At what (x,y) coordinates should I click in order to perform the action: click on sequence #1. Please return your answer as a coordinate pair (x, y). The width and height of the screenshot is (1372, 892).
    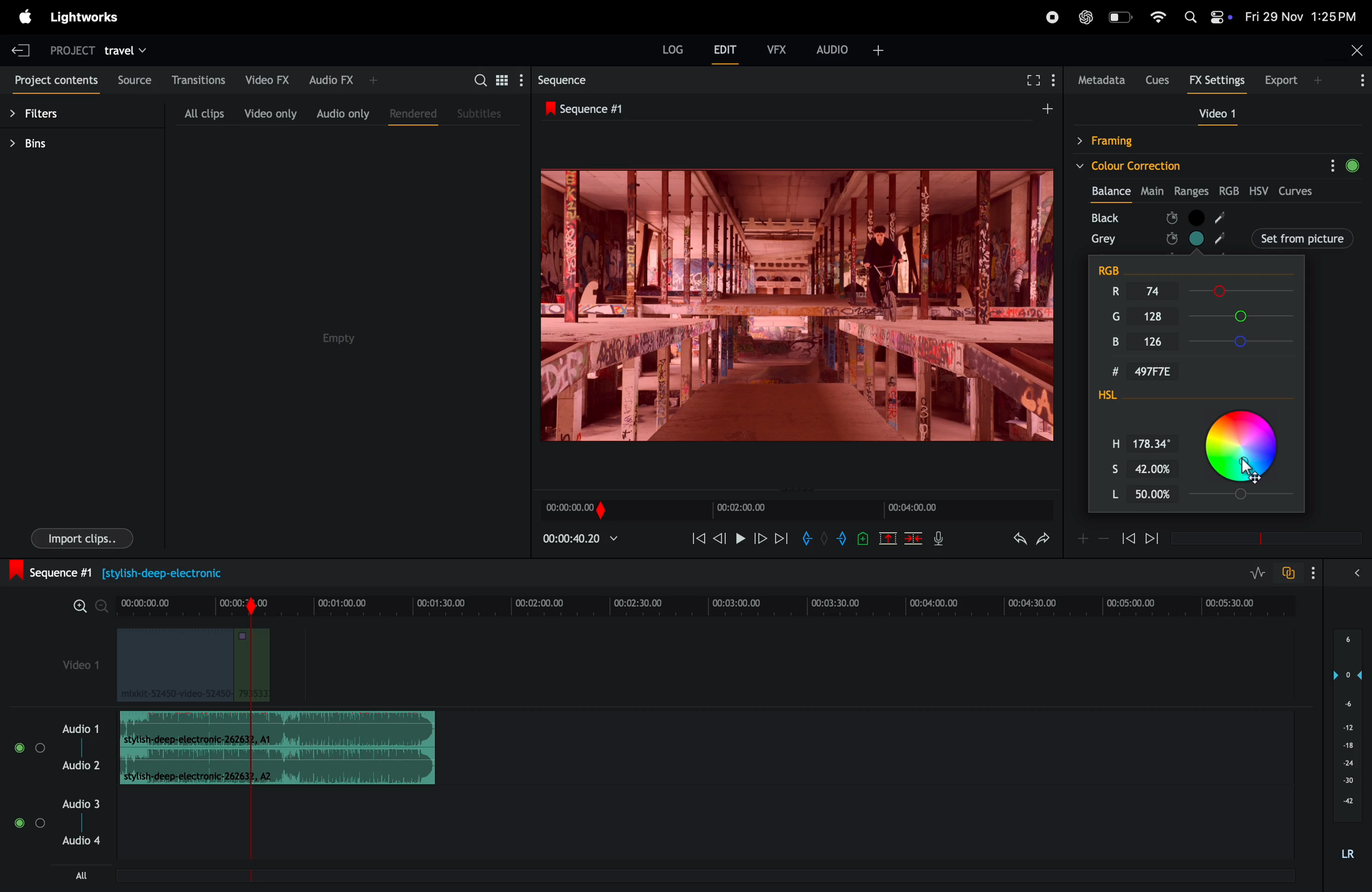
    Looking at the image, I should click on (127, 571).